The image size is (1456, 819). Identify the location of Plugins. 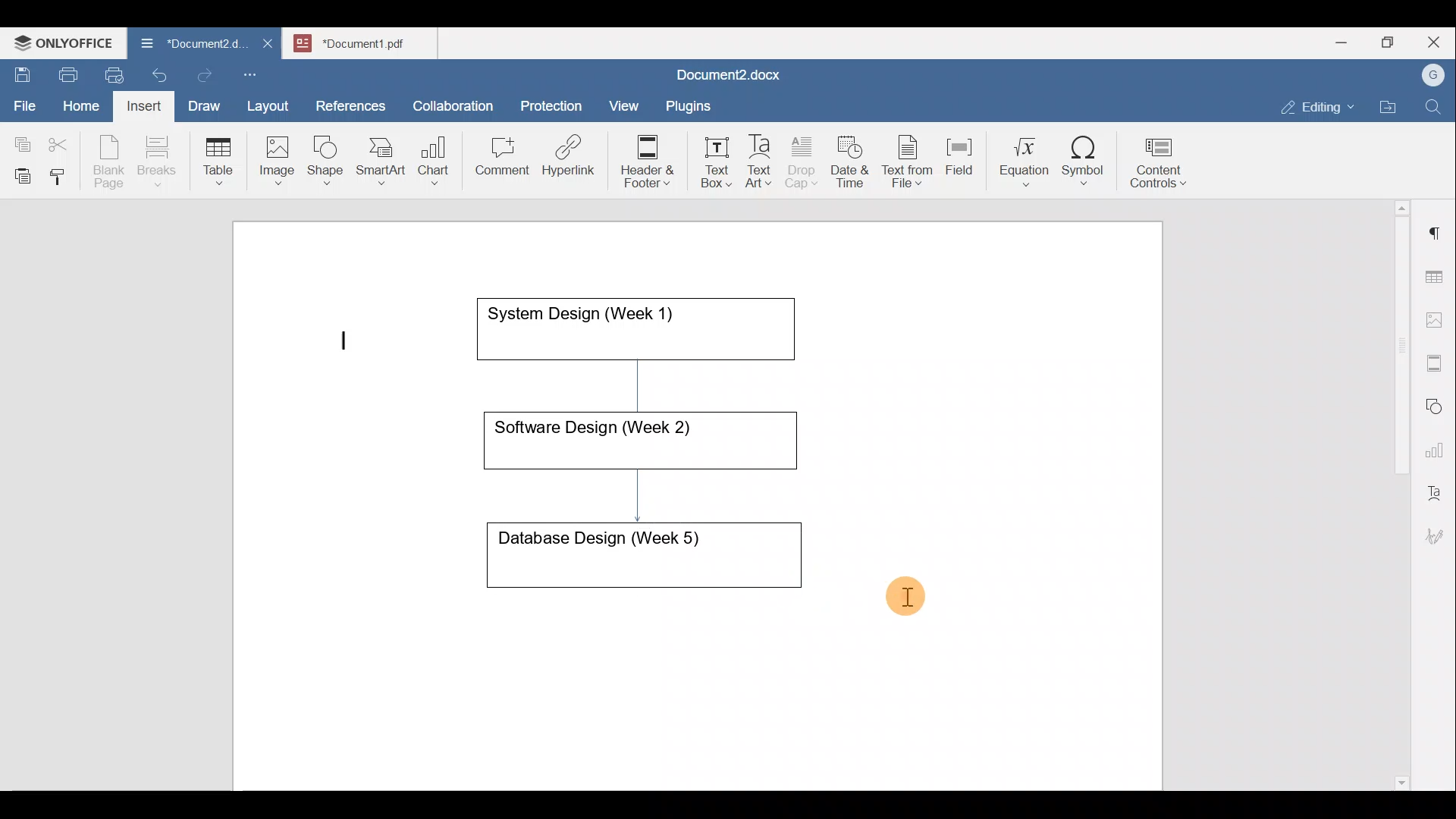
(693, 104).